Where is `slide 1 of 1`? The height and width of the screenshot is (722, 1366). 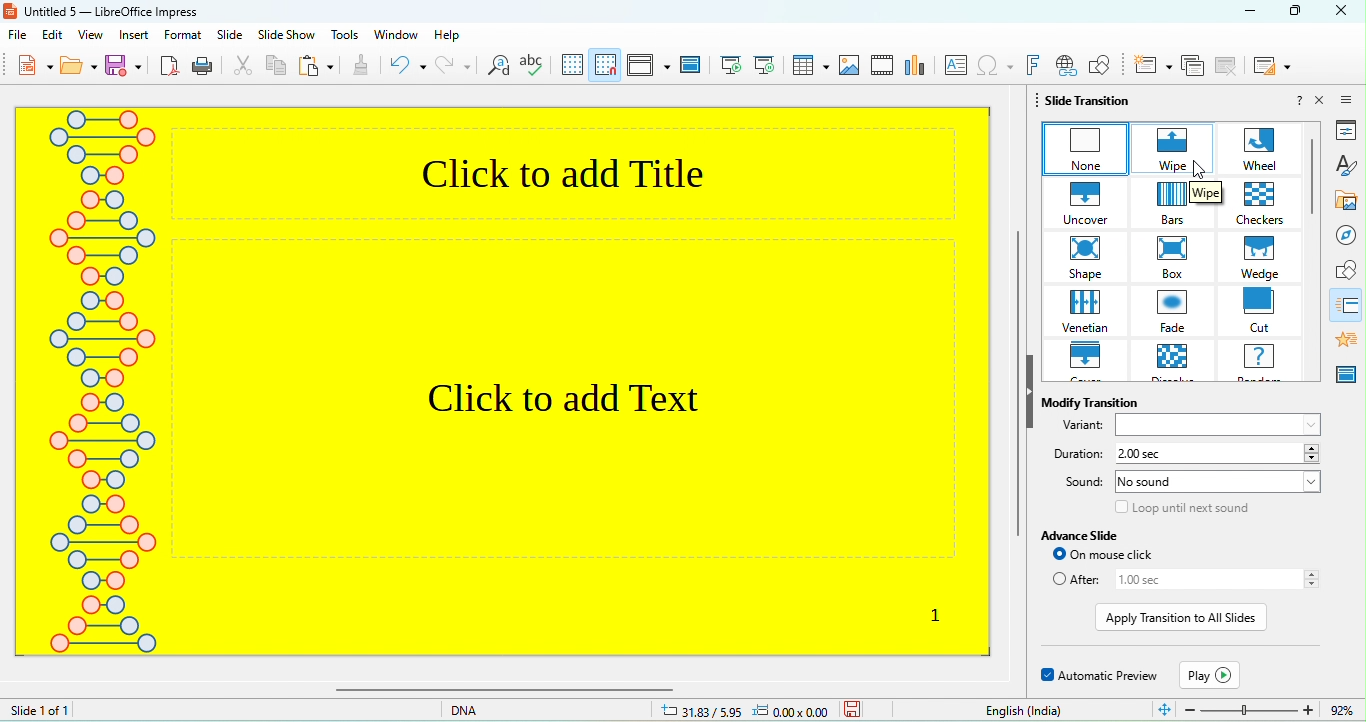
slide 1 of 1 is located at coordinates (83, 711).